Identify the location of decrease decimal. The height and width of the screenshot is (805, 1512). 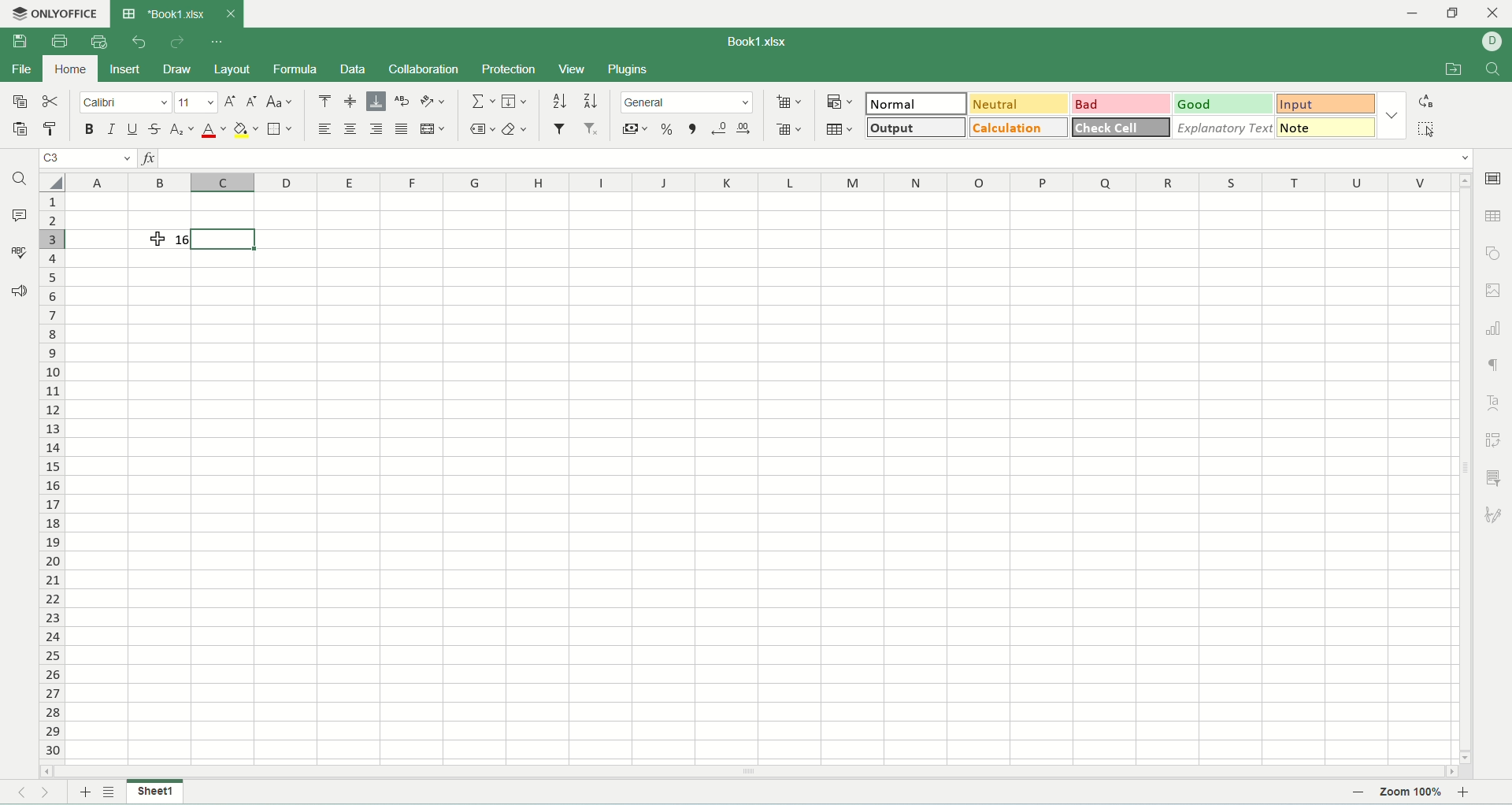
(720, 128).